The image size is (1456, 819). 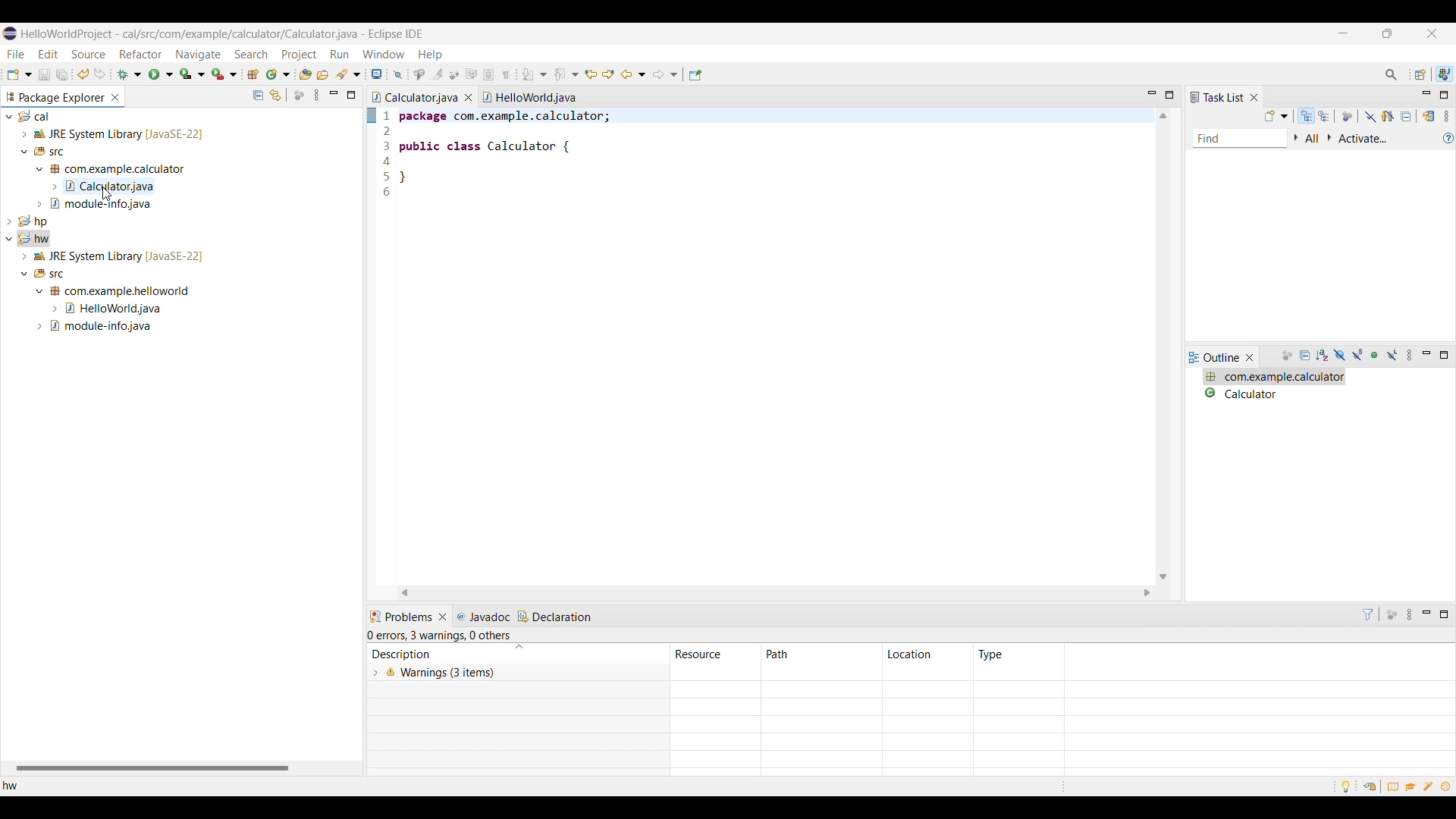 I want to click on Automatically fold uninteresting elements, so click(x=454, y=75).